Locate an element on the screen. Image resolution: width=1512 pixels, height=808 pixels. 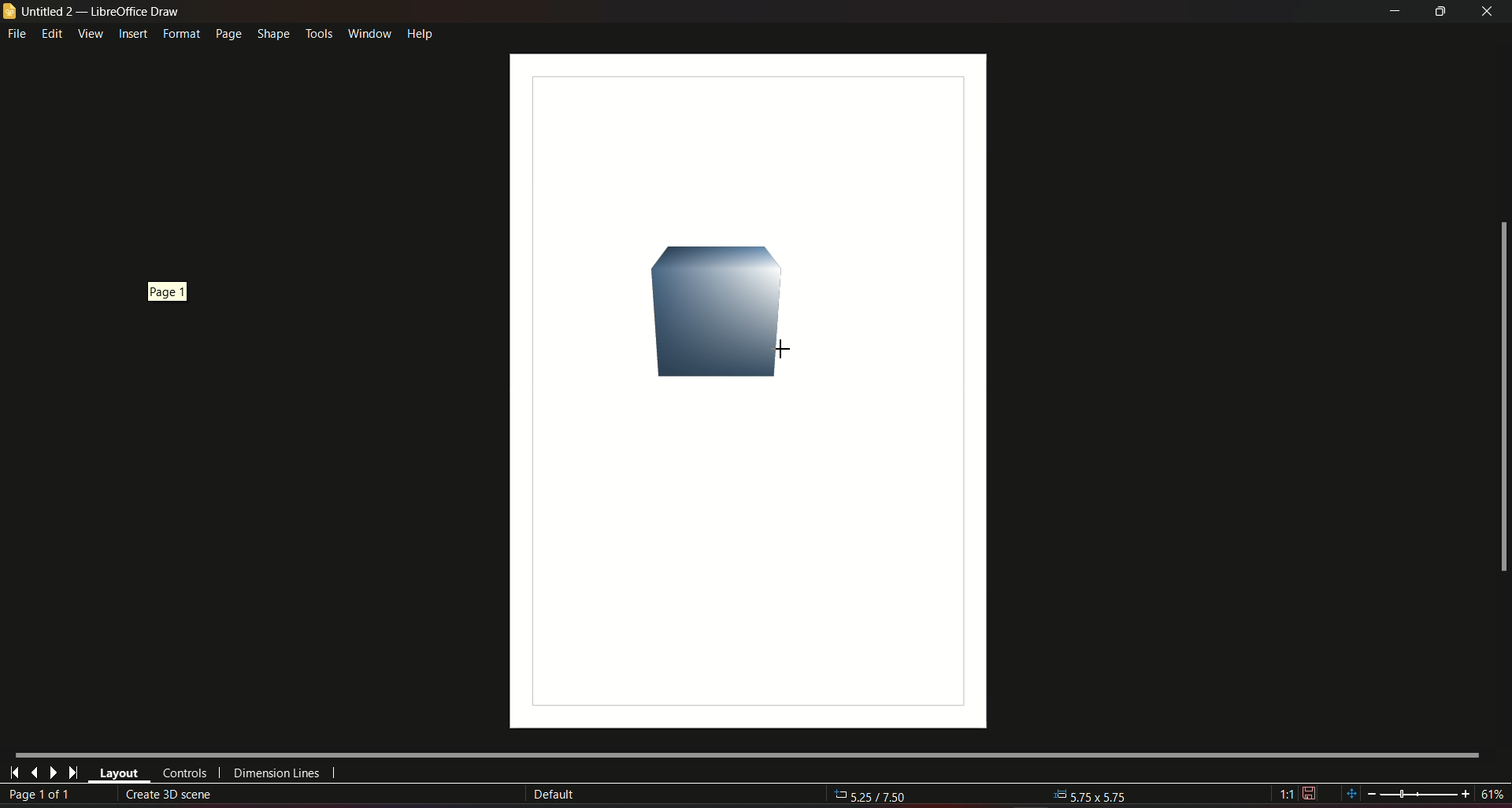
view is located at coordinates (90, 33).